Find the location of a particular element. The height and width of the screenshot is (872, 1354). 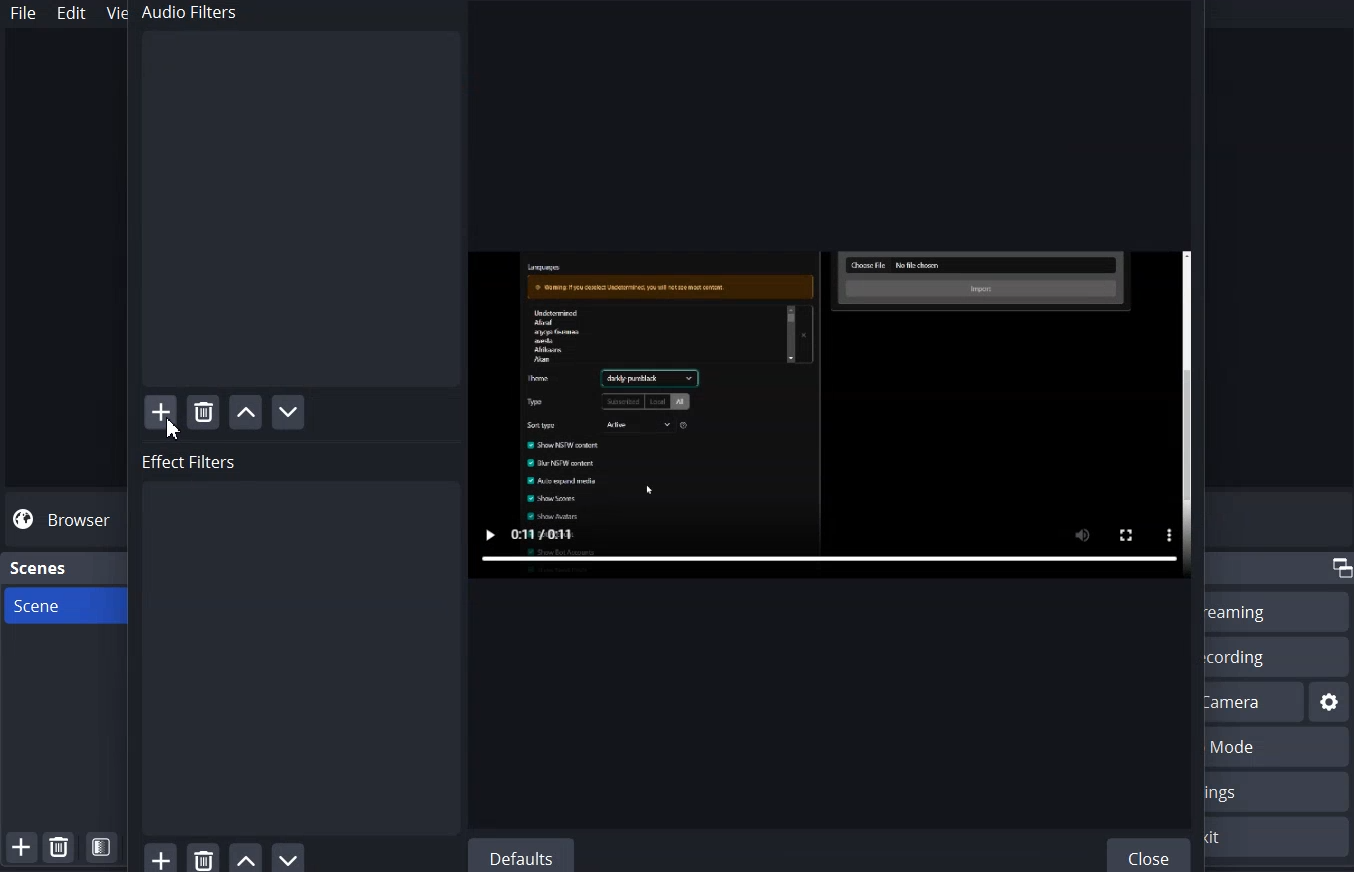

Move Filter Down is located at coordinates (289, 413).